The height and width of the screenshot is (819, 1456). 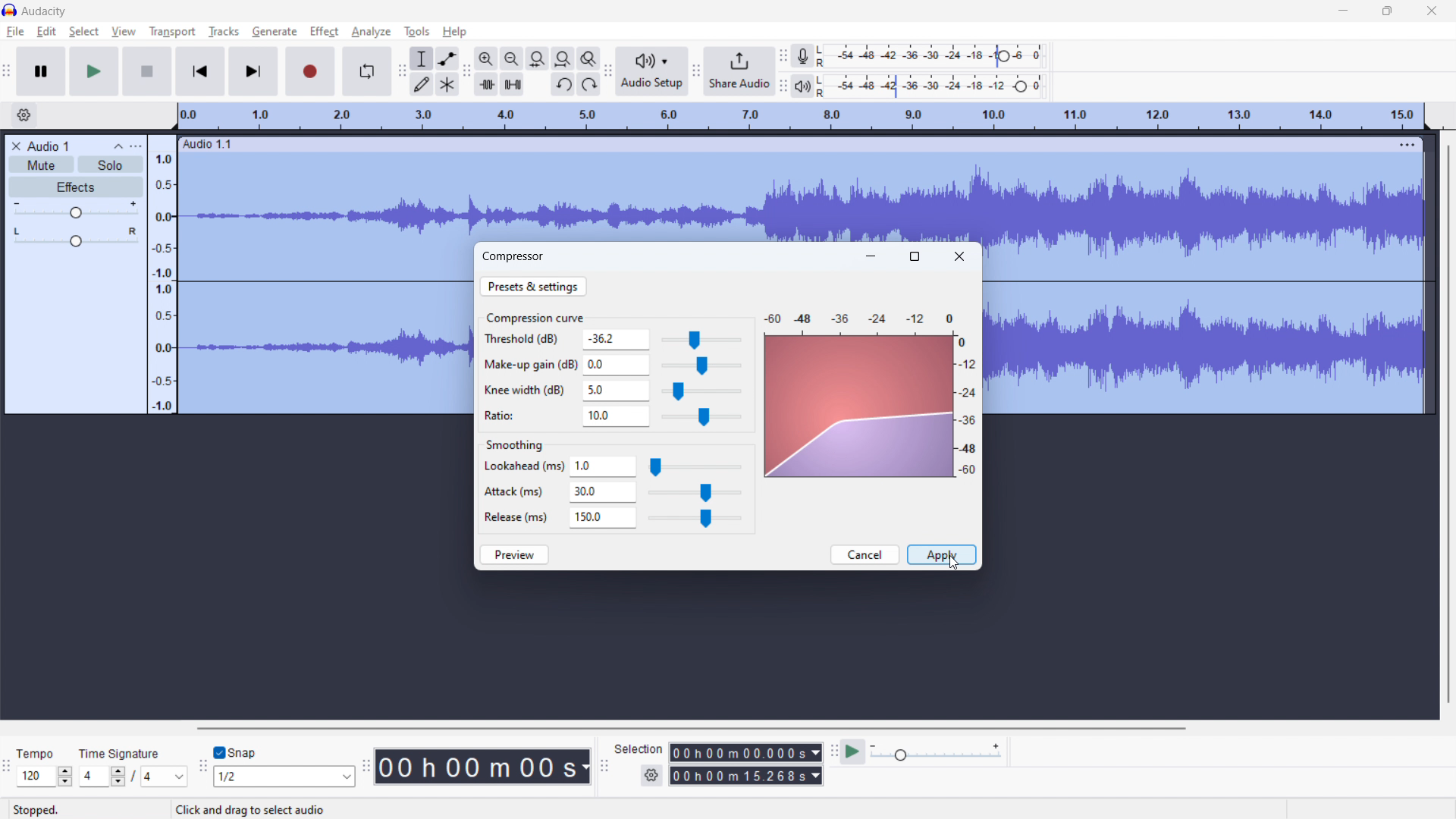 I want to click on  Make-up gain (dB), so click(x=529, y=362).